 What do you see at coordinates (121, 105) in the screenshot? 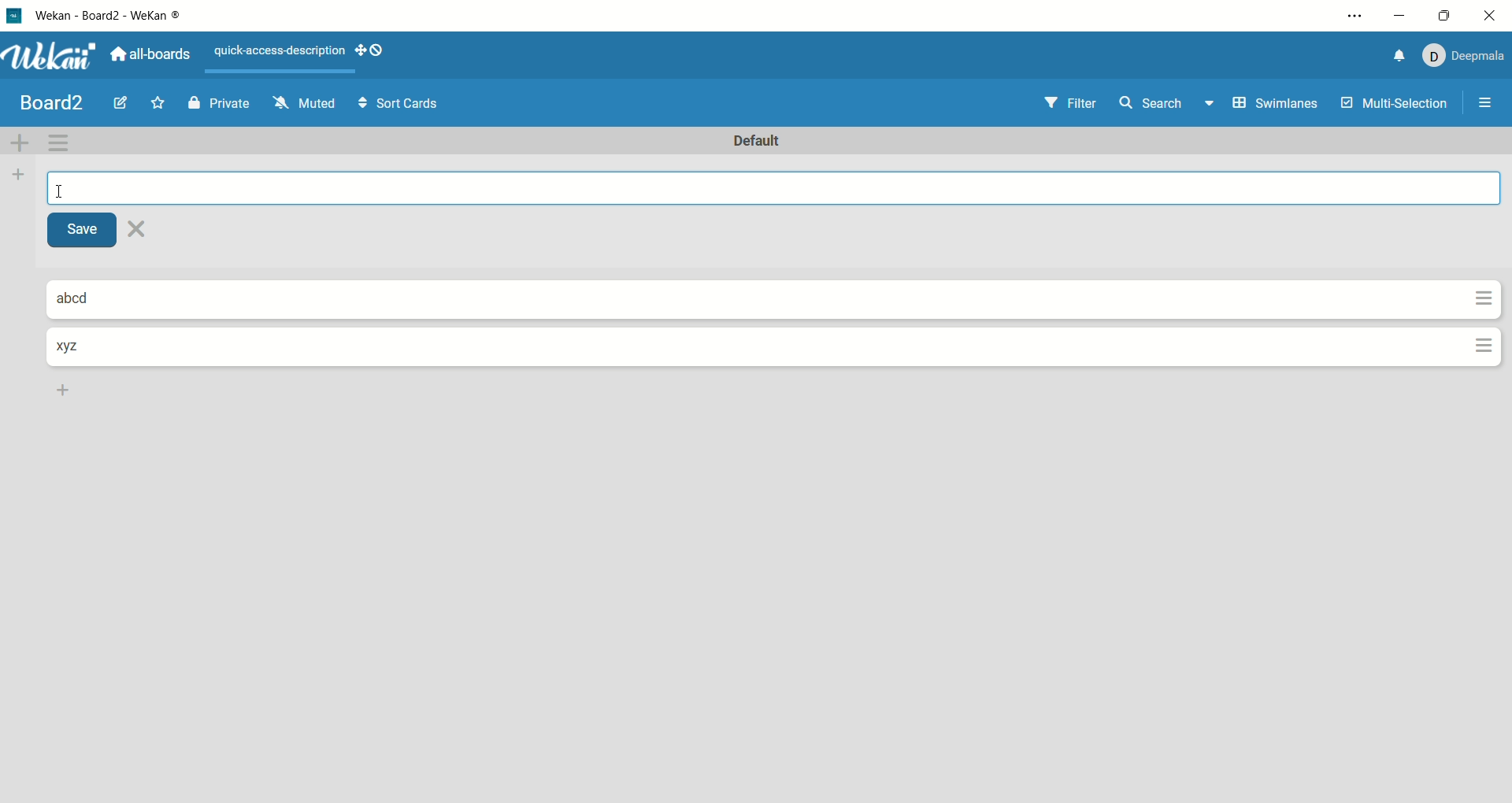
I see `edit` at bounding box center [121, 105].